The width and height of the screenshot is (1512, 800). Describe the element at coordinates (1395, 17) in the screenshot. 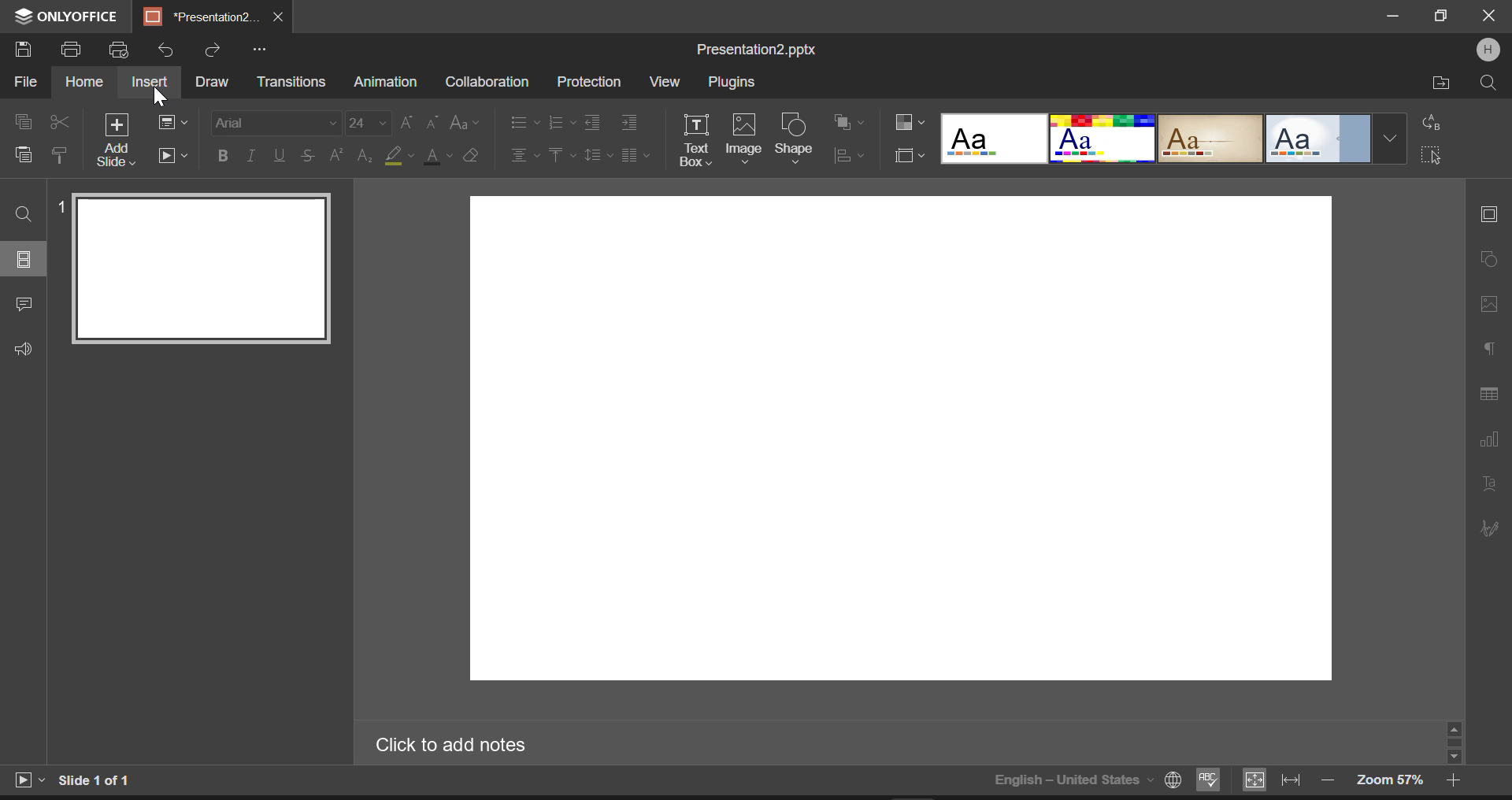

I see `Restore Down` at that location.